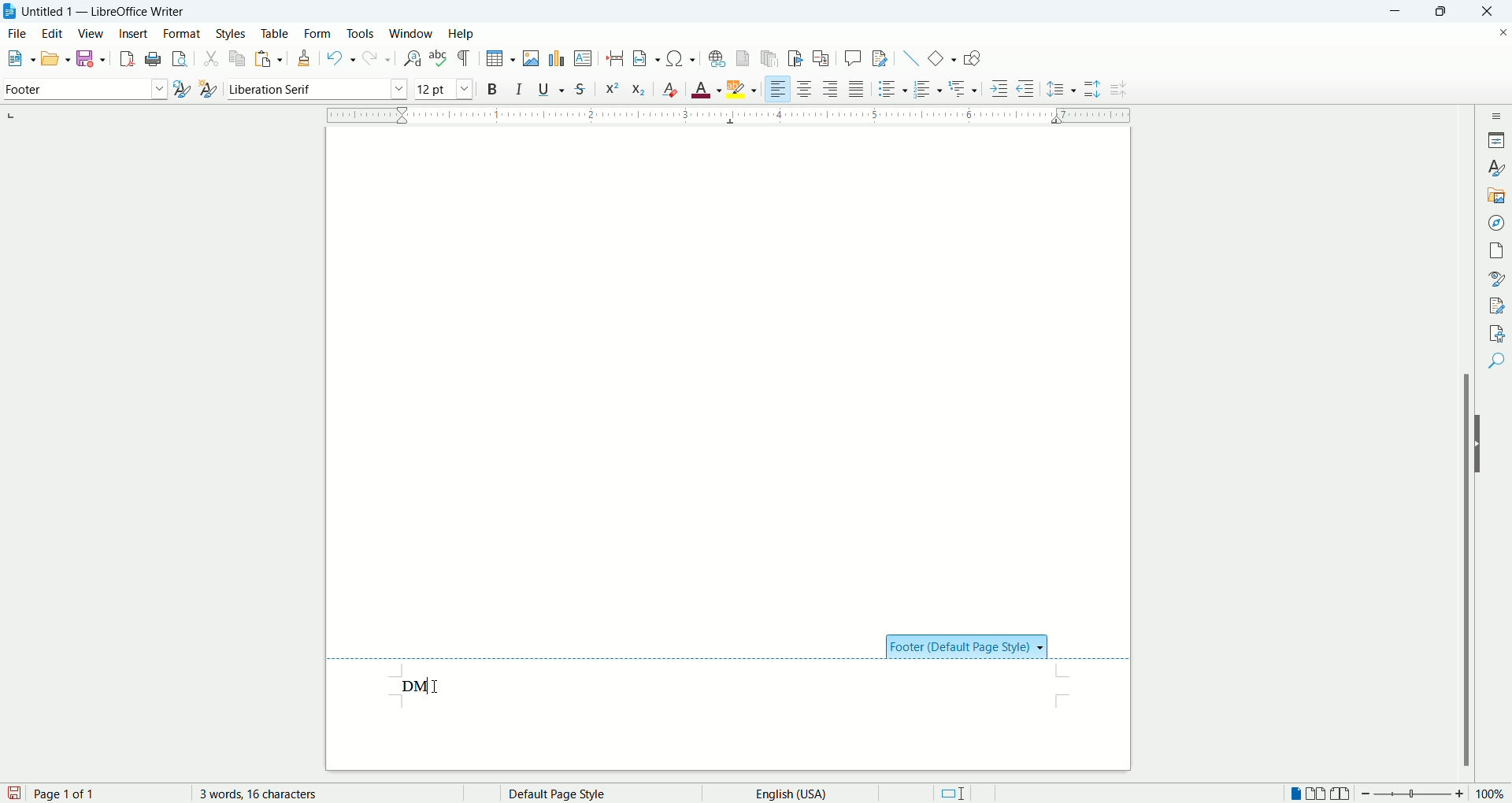 This screenshot has width=1512, height=803. What do you see at coordinates (967, 646) in the screenshot?
I see `footer style` at bounding box center [967, 646].